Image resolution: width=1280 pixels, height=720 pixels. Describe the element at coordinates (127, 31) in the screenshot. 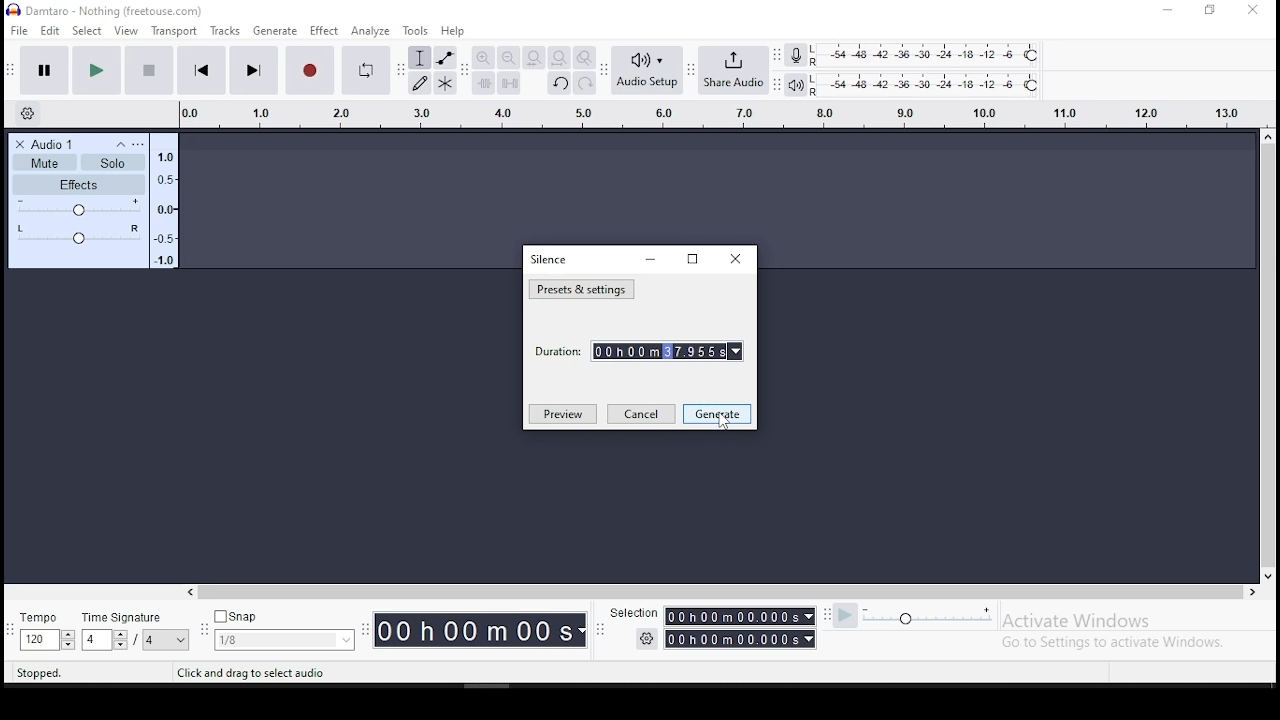

I see `view` at that location.